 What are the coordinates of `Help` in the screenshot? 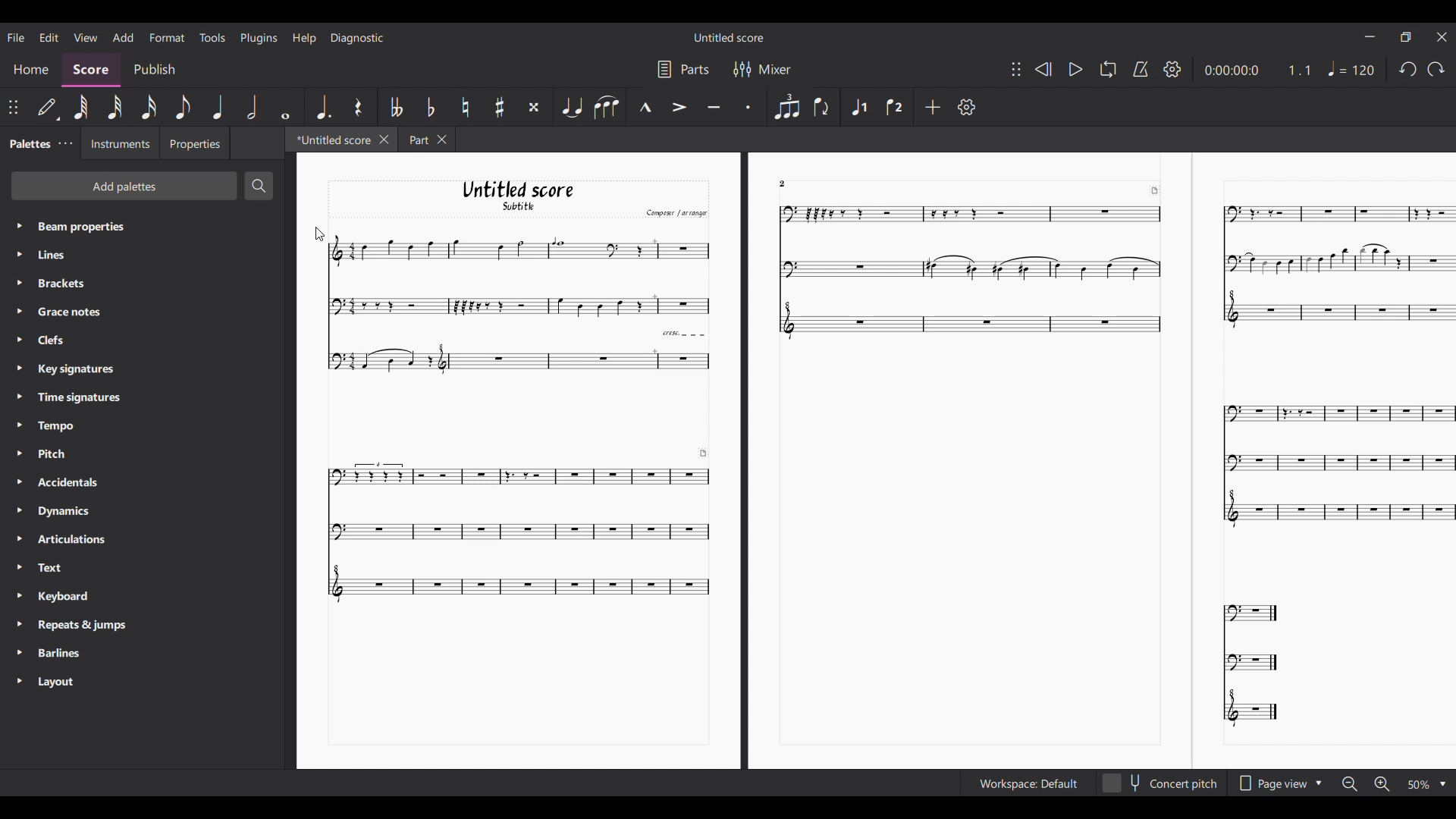 It's located at (303, 39).